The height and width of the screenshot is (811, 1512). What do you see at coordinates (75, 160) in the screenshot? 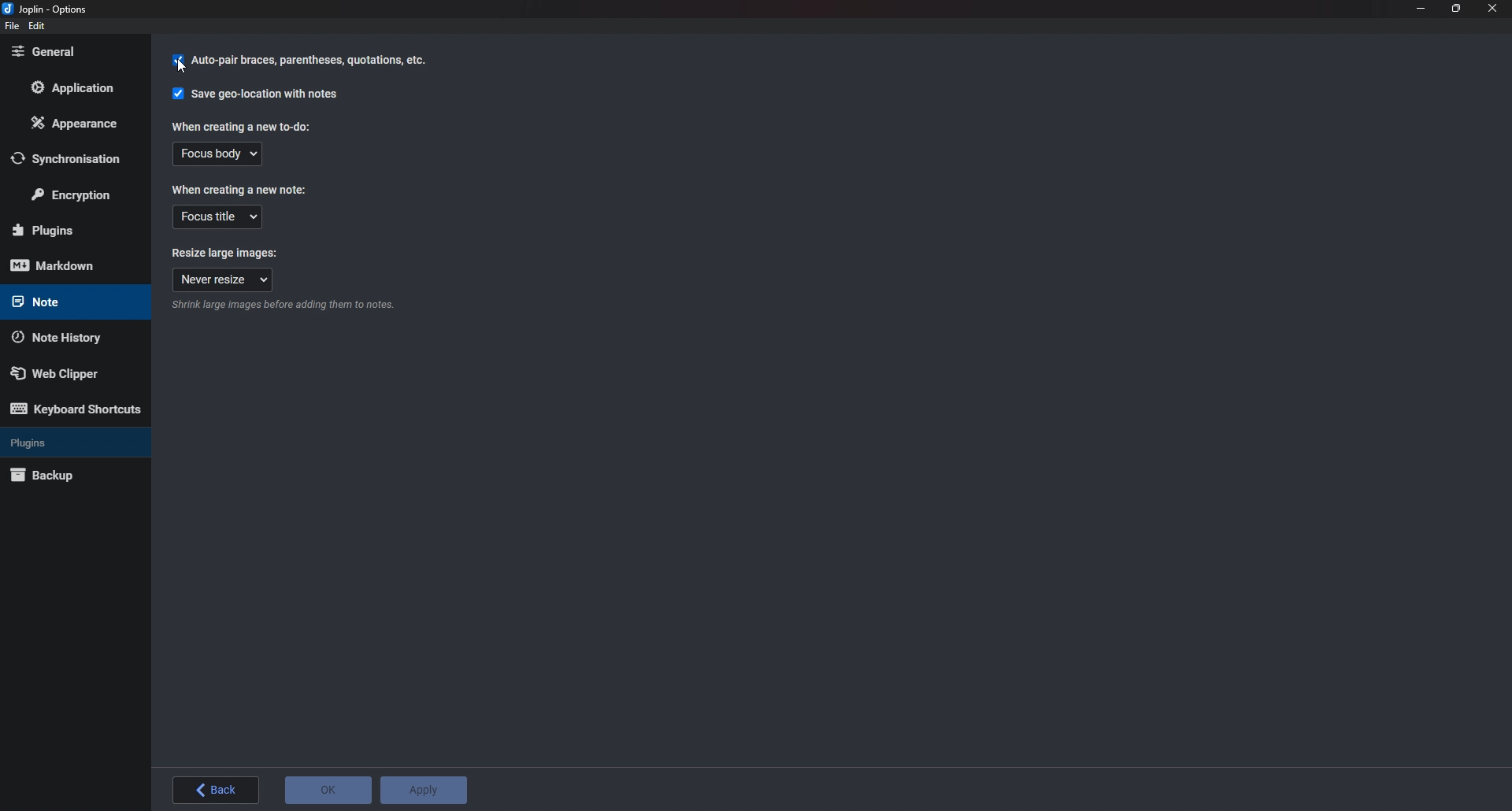
I see `Synchronization` at bounding box center [75, 160].